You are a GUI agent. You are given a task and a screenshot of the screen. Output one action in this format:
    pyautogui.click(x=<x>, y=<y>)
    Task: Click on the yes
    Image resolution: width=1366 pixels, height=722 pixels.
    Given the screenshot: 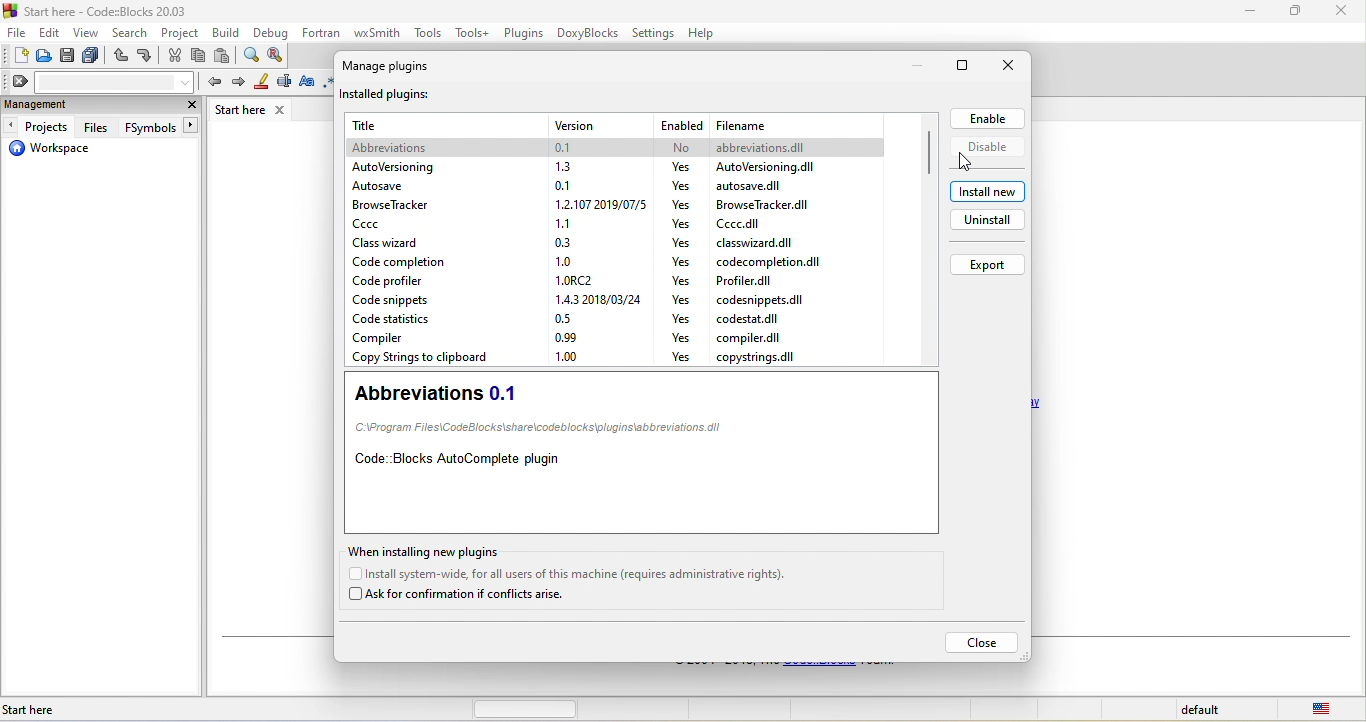 What is the action you would take?
    pyautogui.click(x=682, y=316)
    